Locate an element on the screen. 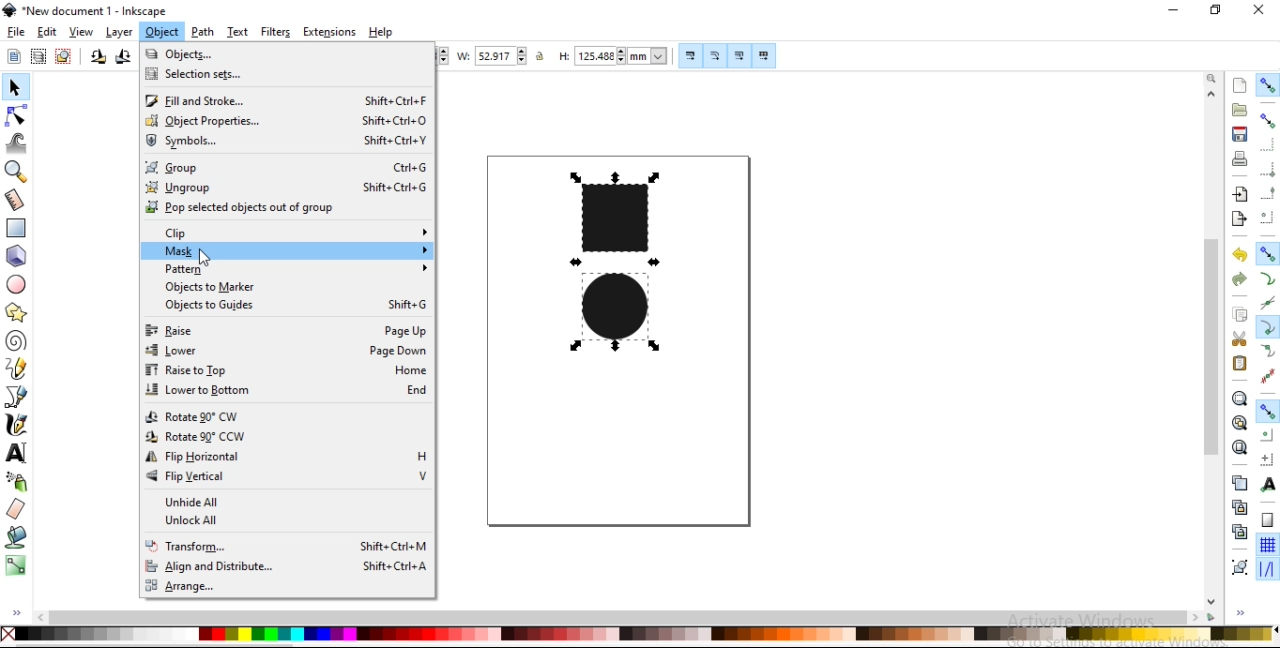 This screenshot has width=1280, height=648. prop selected objects out of group is located at coordinates (282, 210).